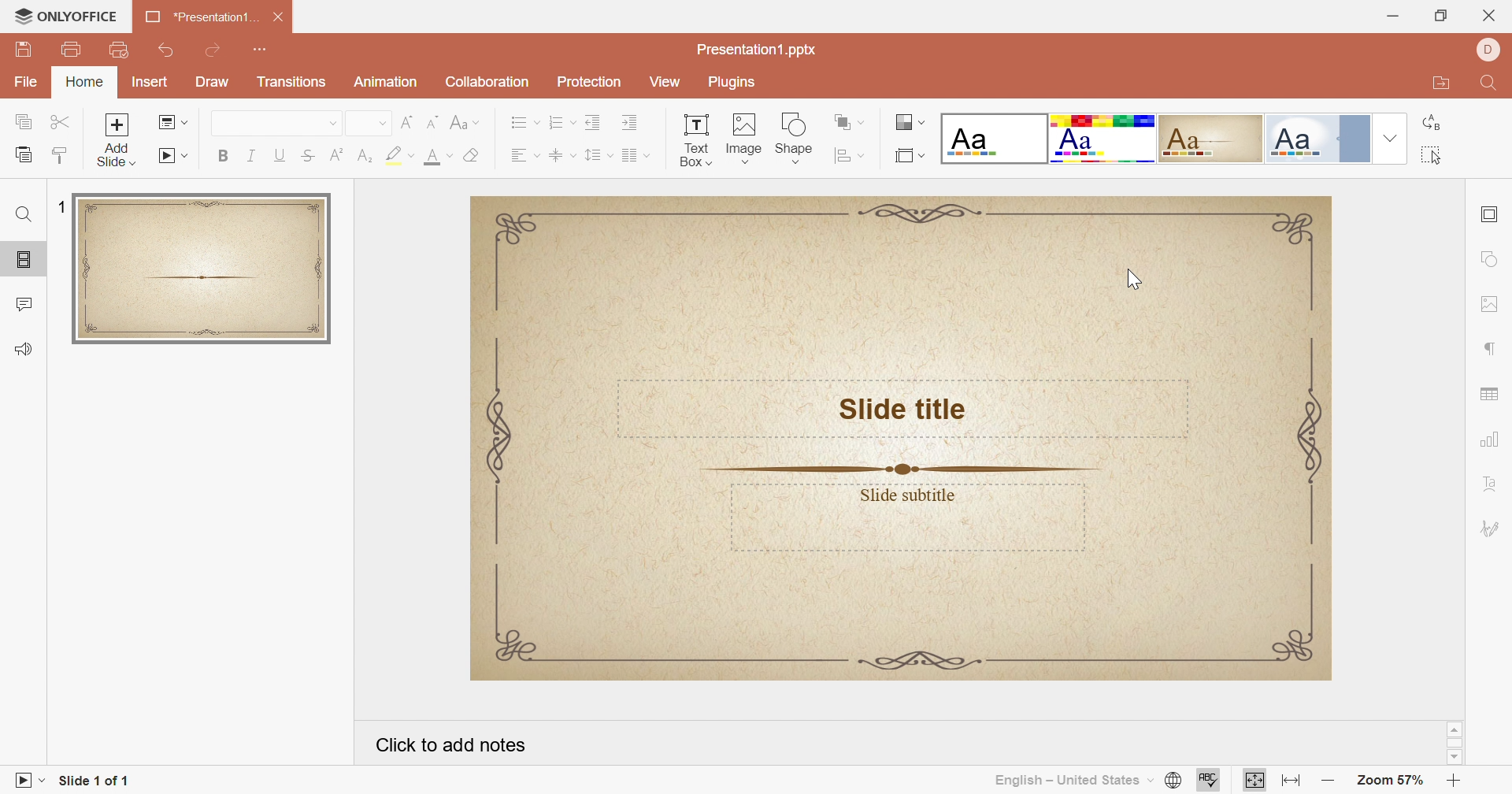  I want to click on Arrange shape, so click(842, 121).